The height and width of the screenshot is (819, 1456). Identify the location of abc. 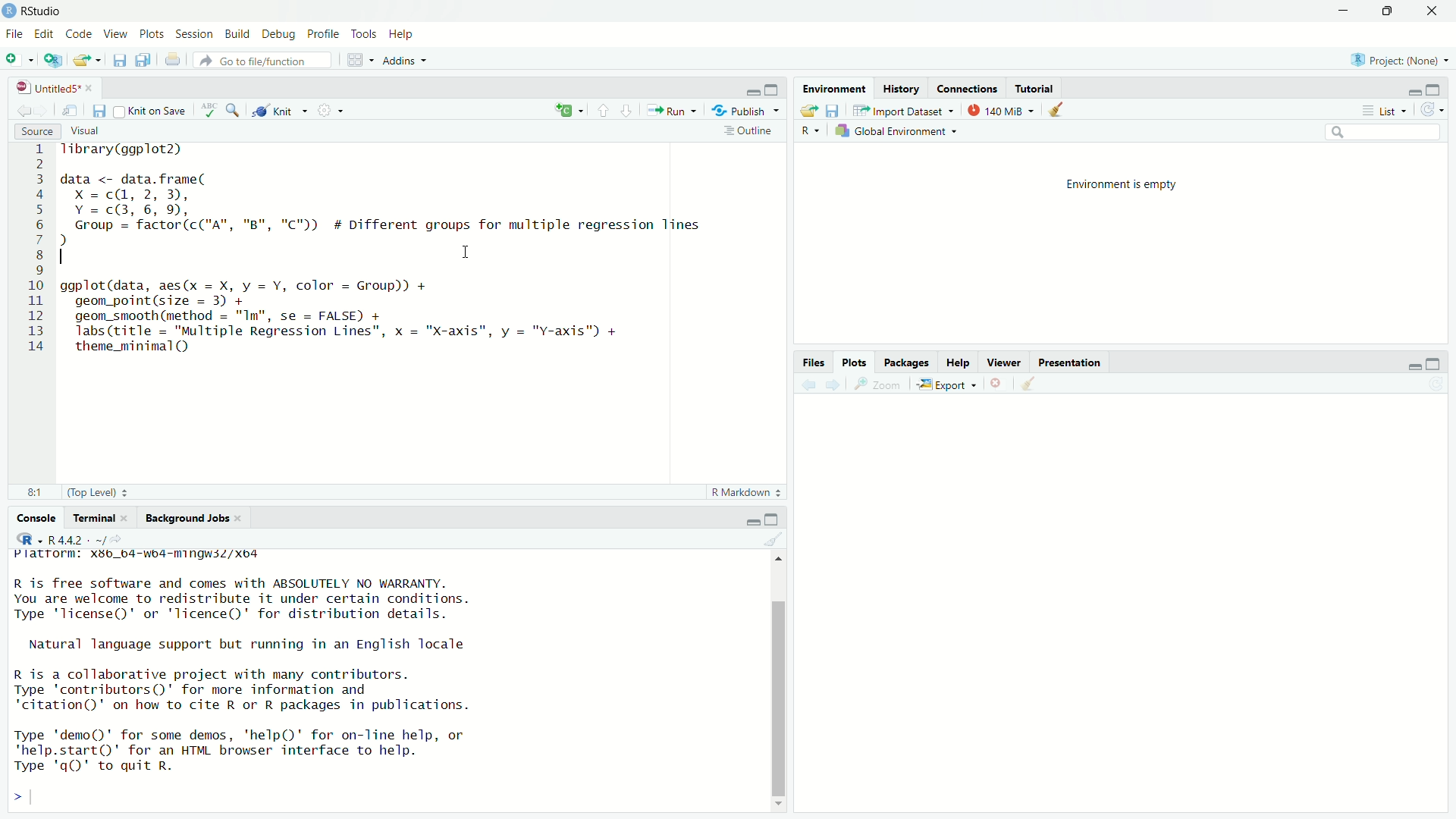
(206, 110).